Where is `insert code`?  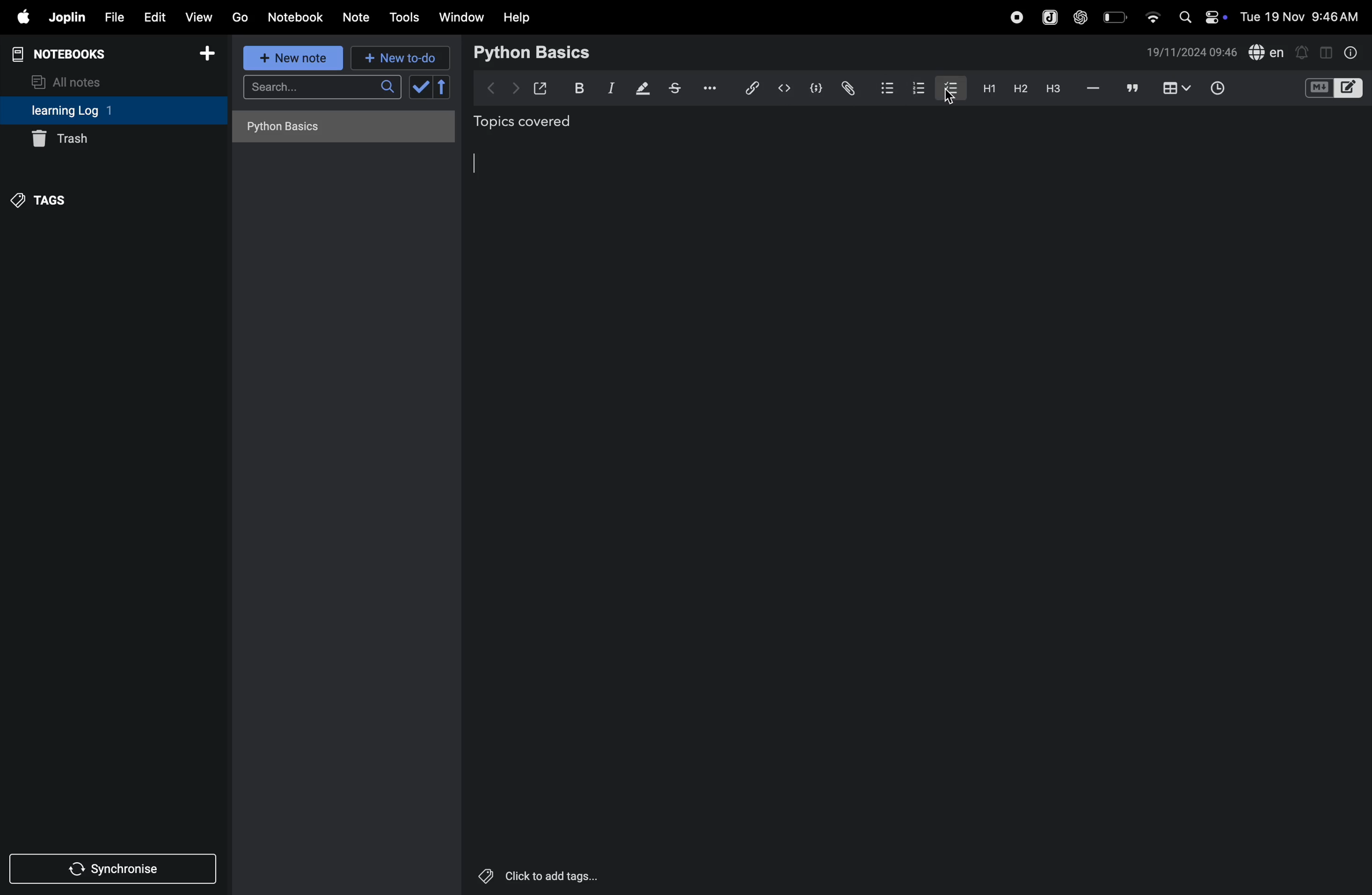
insert code is located at coordinates (785, 88).